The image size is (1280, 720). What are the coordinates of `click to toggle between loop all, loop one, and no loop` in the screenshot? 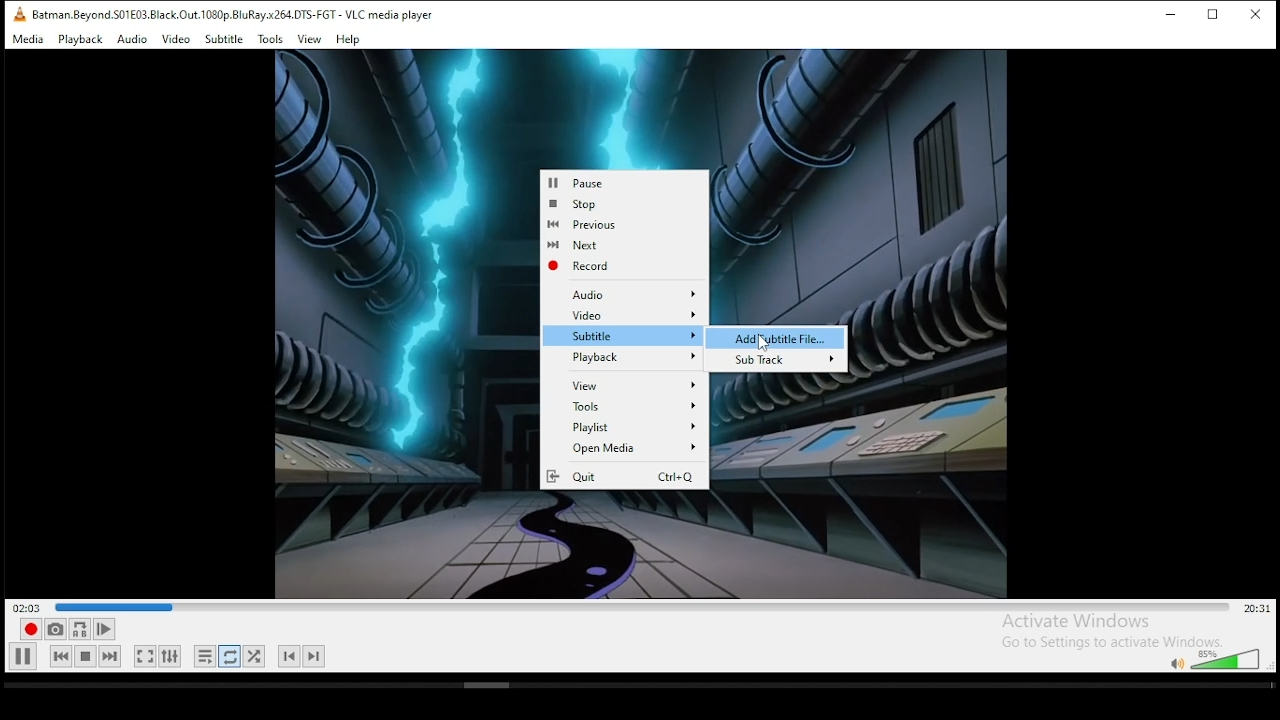 It's located at (229, 656).